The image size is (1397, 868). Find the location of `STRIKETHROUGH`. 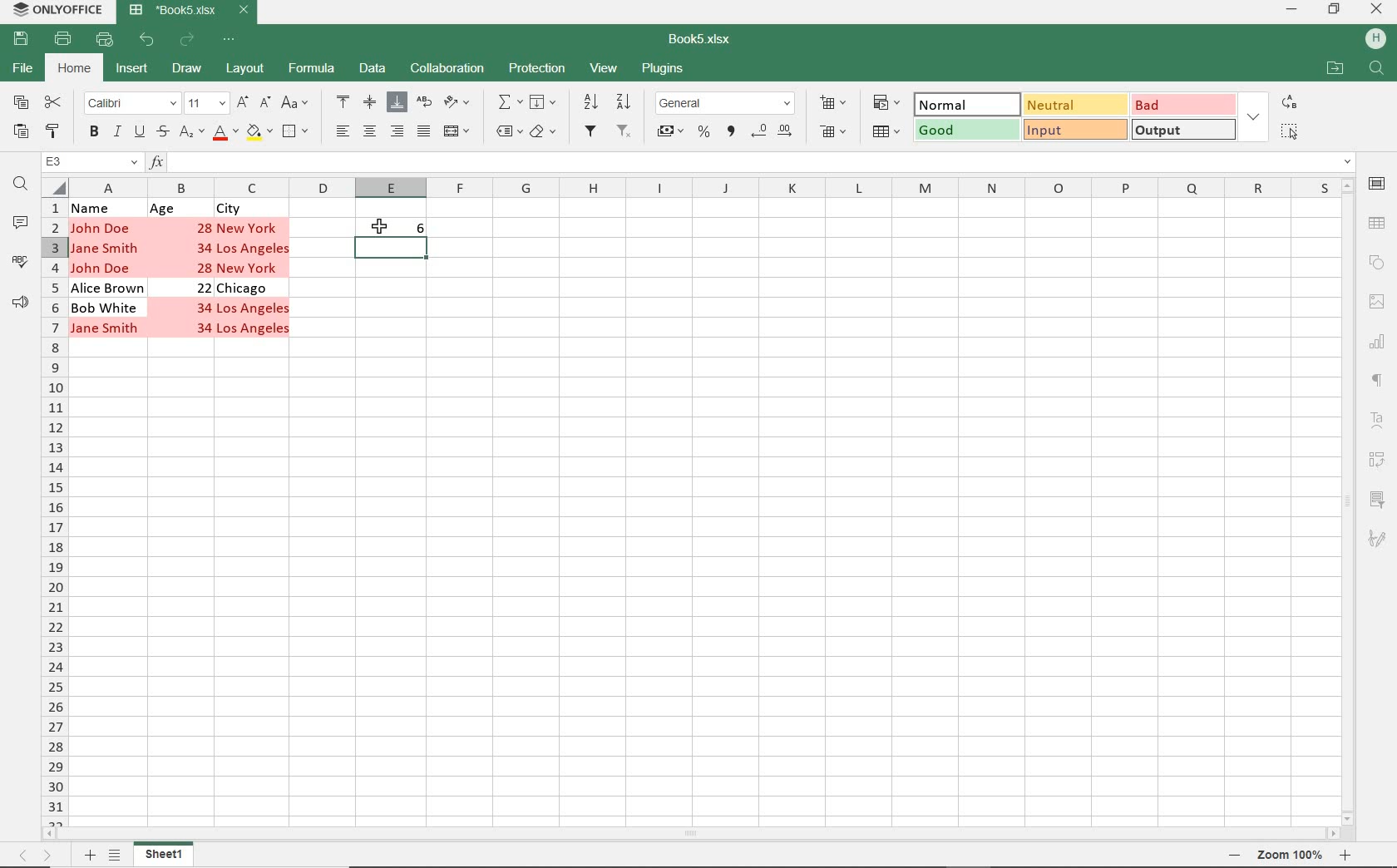

STRIKETHROUGH is located at coordinates (161, 133).